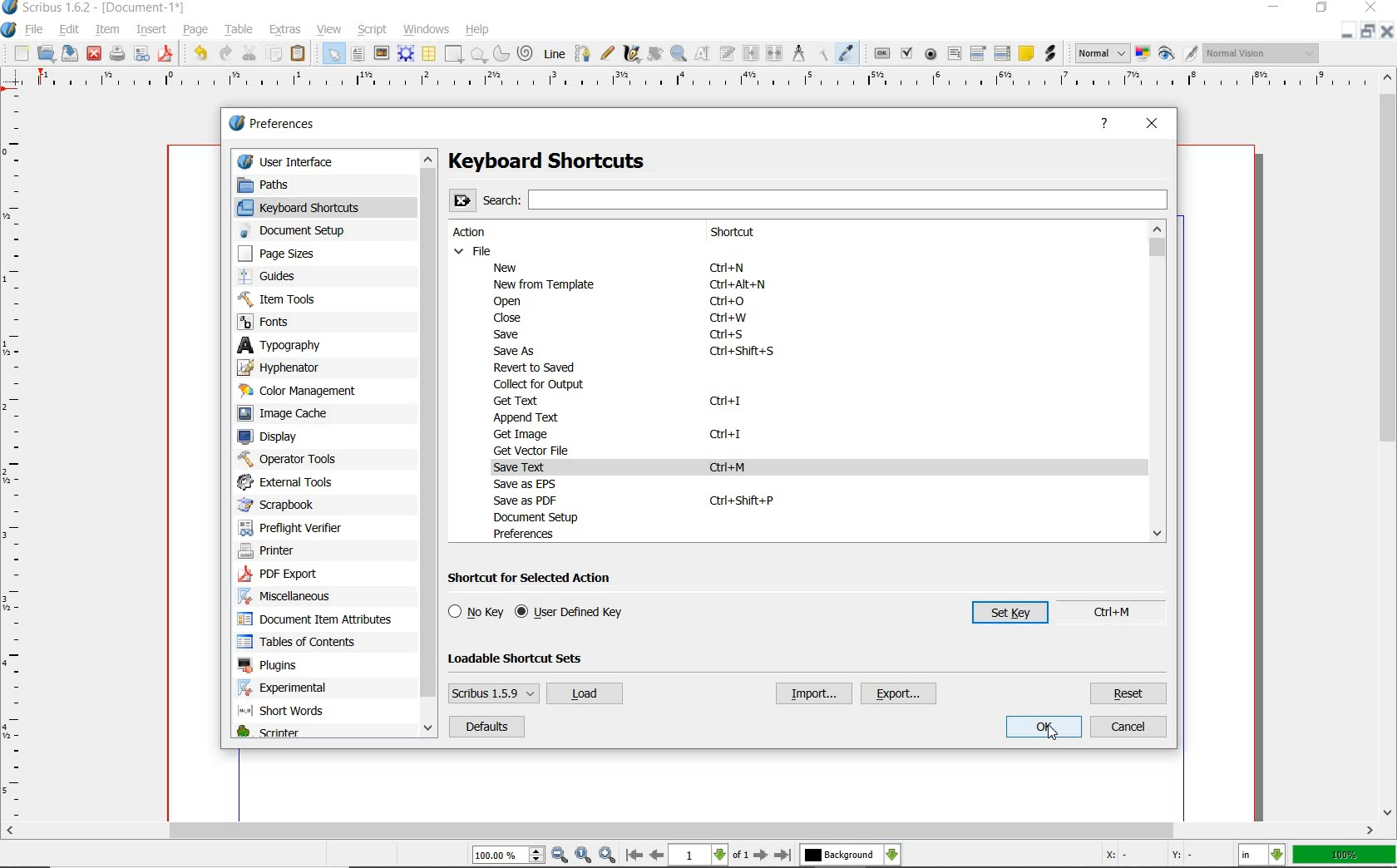 This screenshot has width=1397, height=868. What do you see at coordinates (67, 53) in the screenshot?
I see `save` at bounding box center [67, 53].